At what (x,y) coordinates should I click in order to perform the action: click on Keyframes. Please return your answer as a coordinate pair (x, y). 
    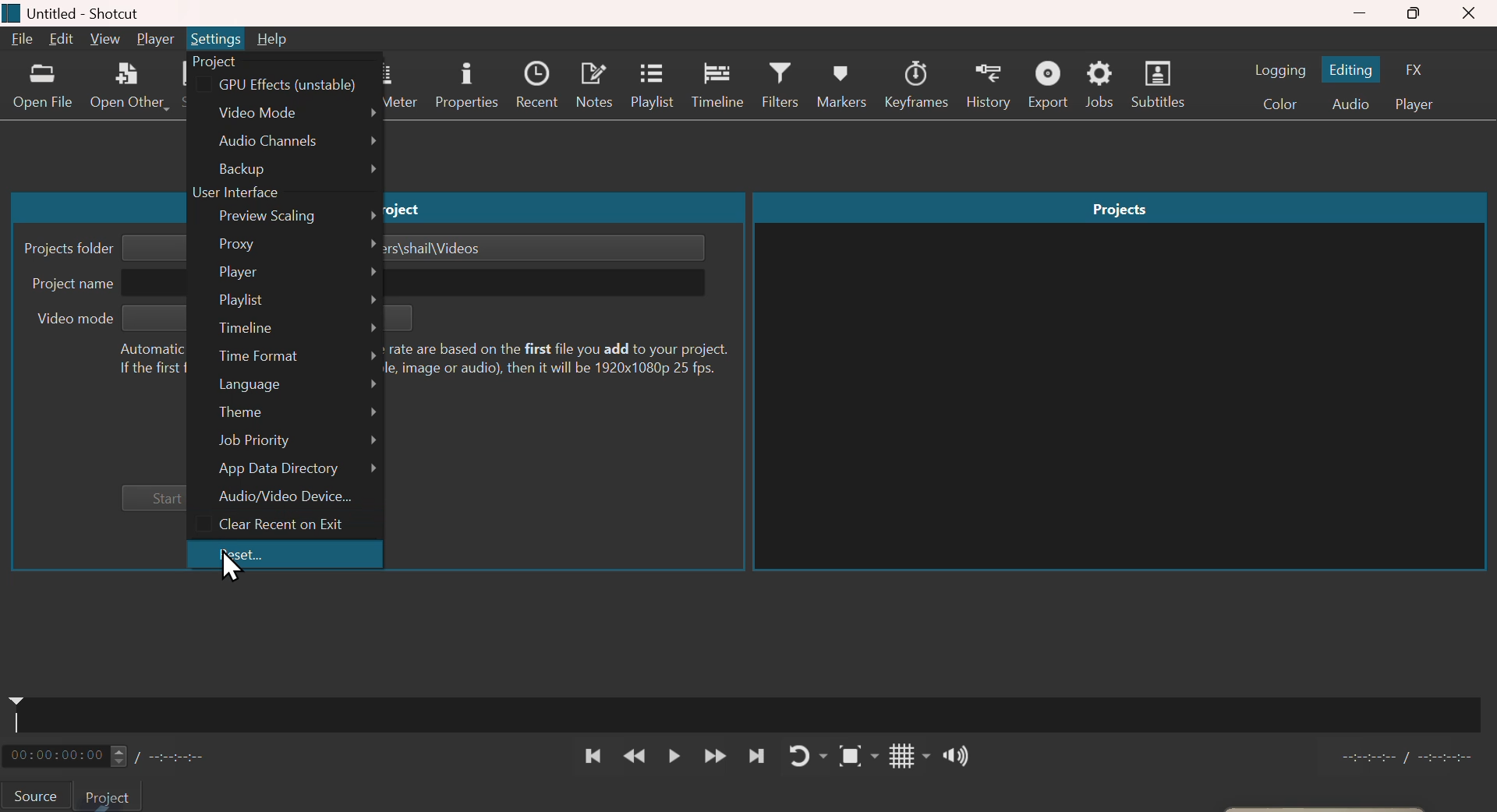
    Looking at the image, I should click on (918, 85).